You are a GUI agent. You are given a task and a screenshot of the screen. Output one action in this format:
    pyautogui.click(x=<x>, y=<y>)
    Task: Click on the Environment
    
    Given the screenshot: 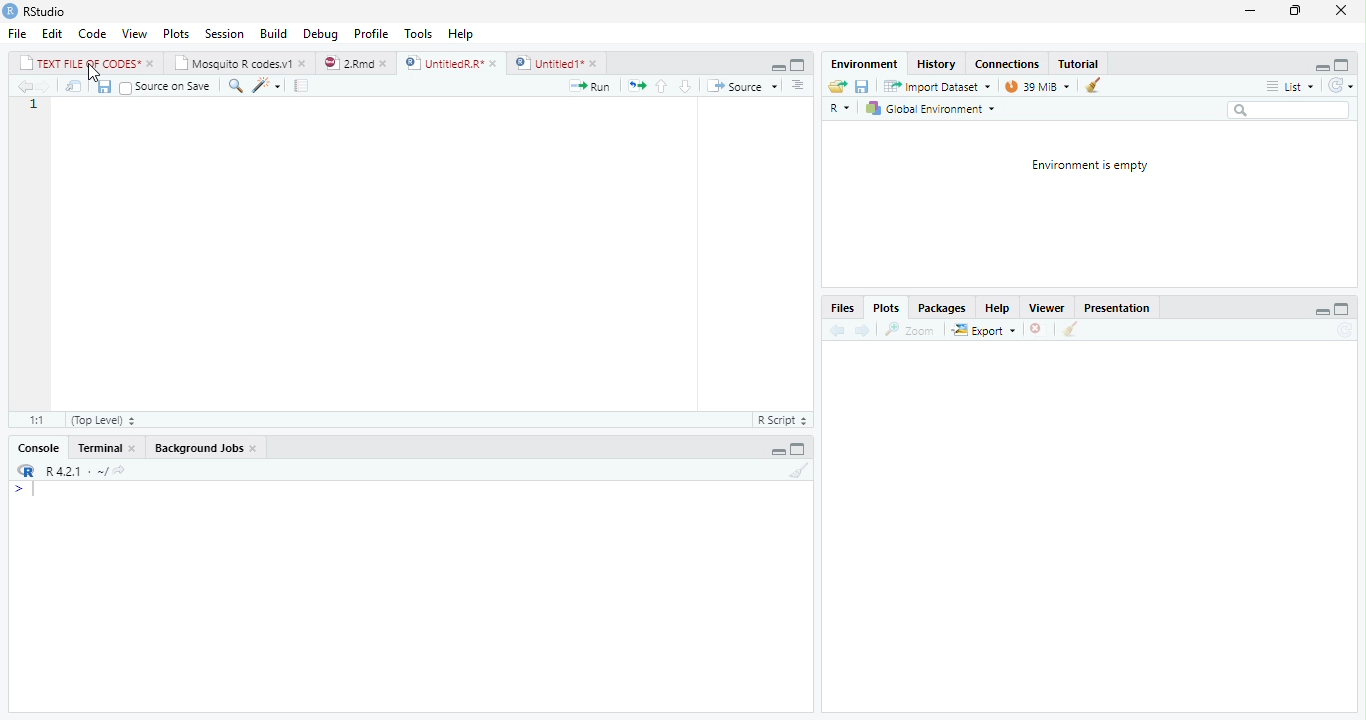 What is the action you would take?
    pyautogui.click(x=859, y=63)
    